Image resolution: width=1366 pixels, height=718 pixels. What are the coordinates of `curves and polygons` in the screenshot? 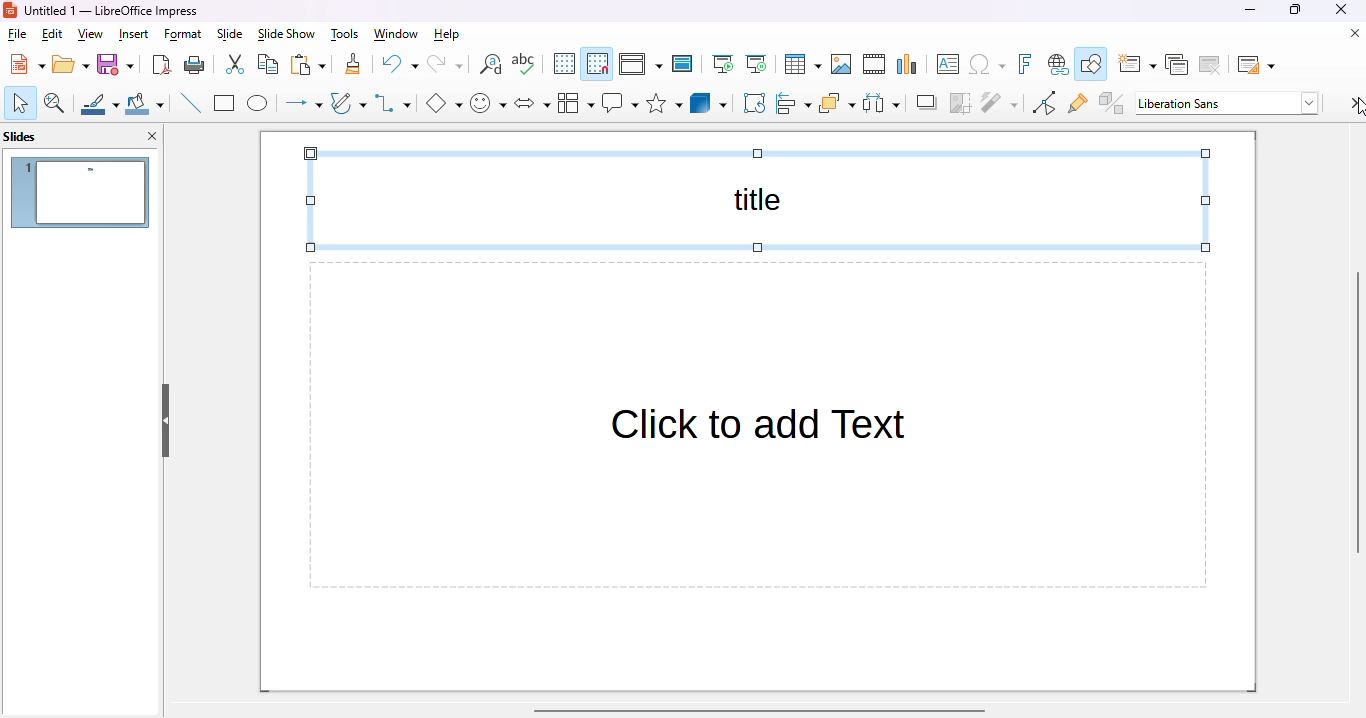 It's located at (348, 103).